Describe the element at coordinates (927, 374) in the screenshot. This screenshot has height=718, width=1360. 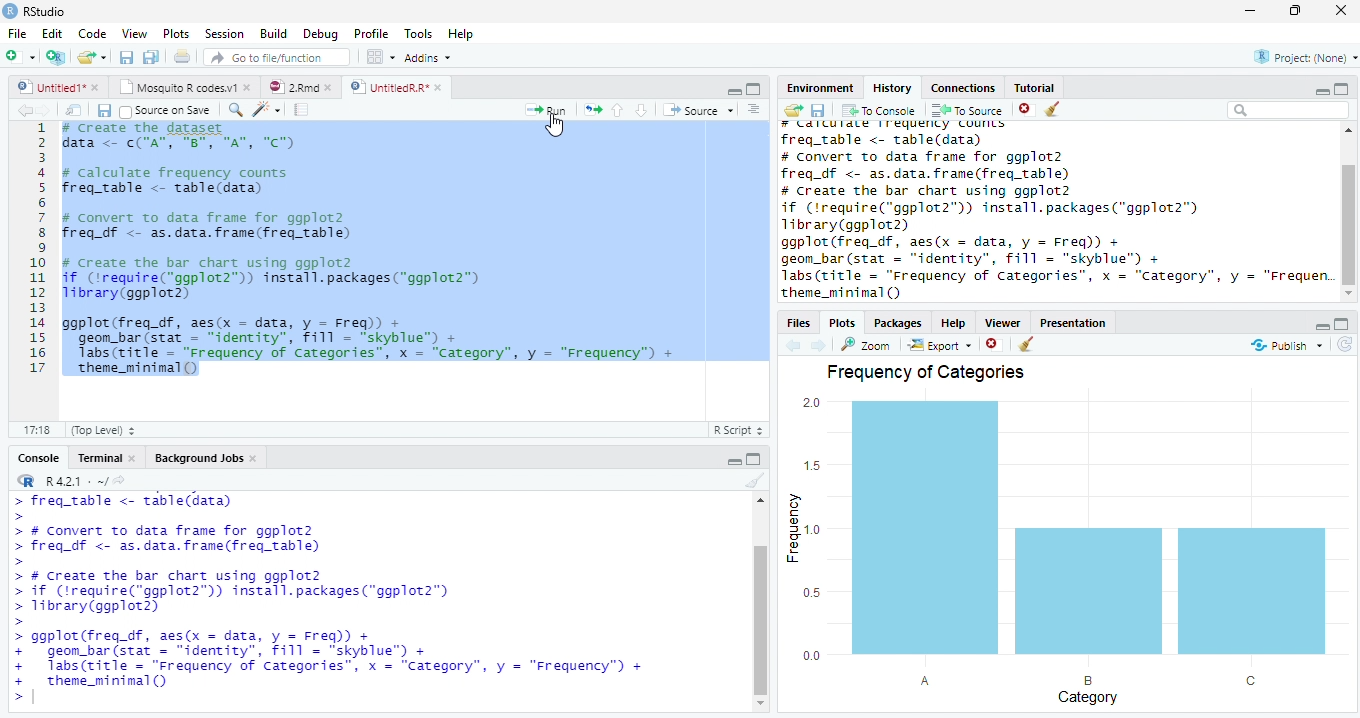
I see `Frequency of Categories` at that location.